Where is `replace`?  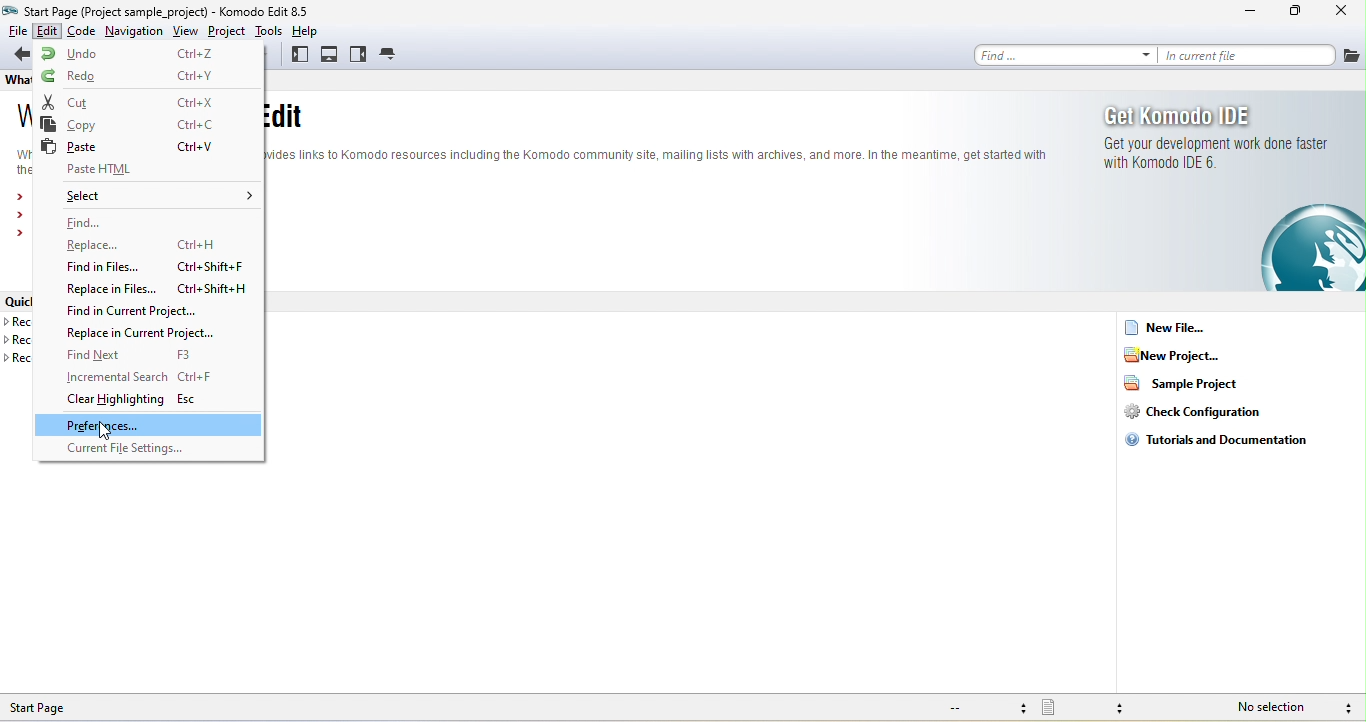
replace is located at coordinates (142, 246).